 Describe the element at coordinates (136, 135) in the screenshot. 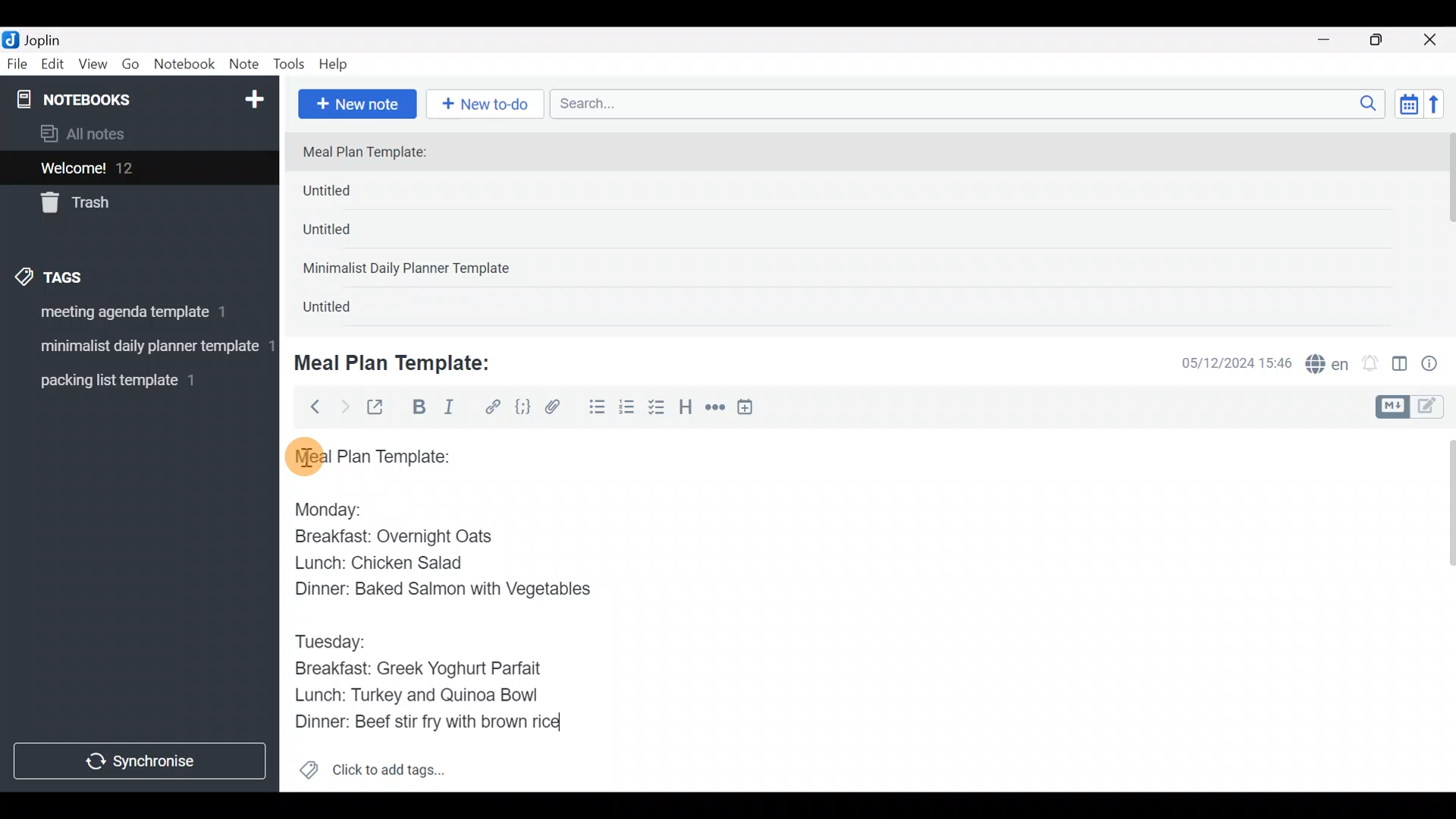

I see `All notes` at that location.